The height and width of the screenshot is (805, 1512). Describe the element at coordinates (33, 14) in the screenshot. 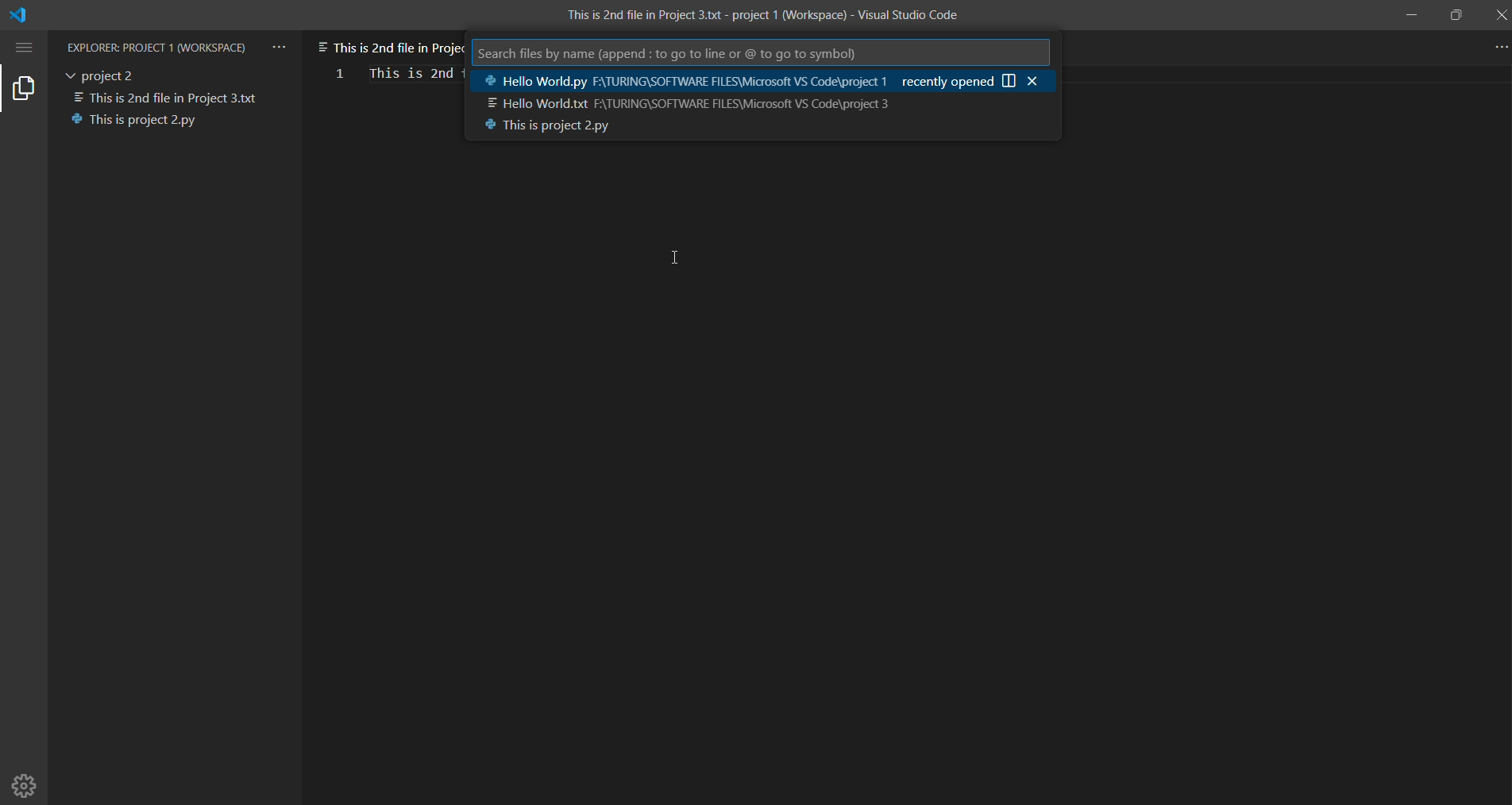

I see `logo` at that location.